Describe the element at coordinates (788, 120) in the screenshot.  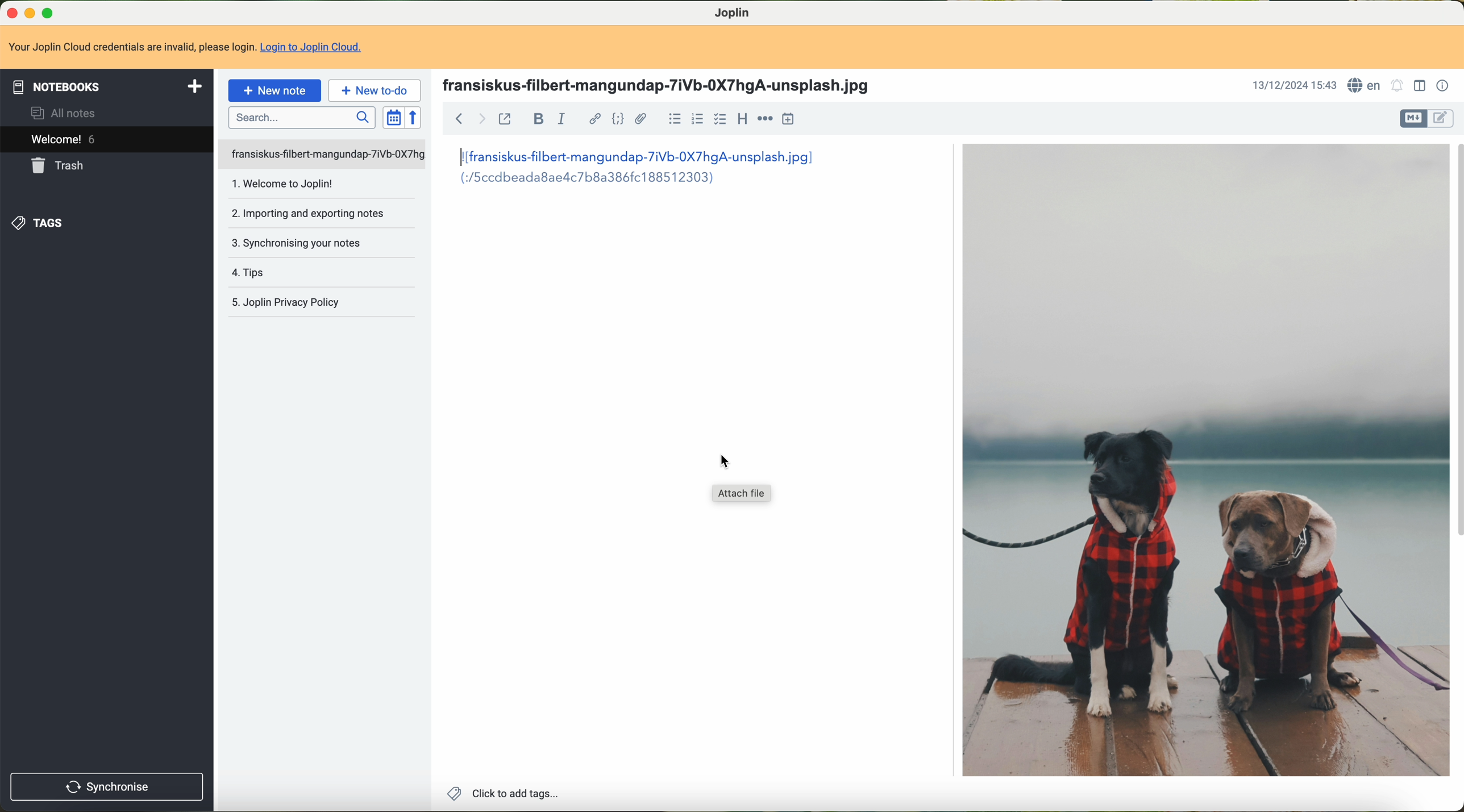
I see `insert time` at that location.